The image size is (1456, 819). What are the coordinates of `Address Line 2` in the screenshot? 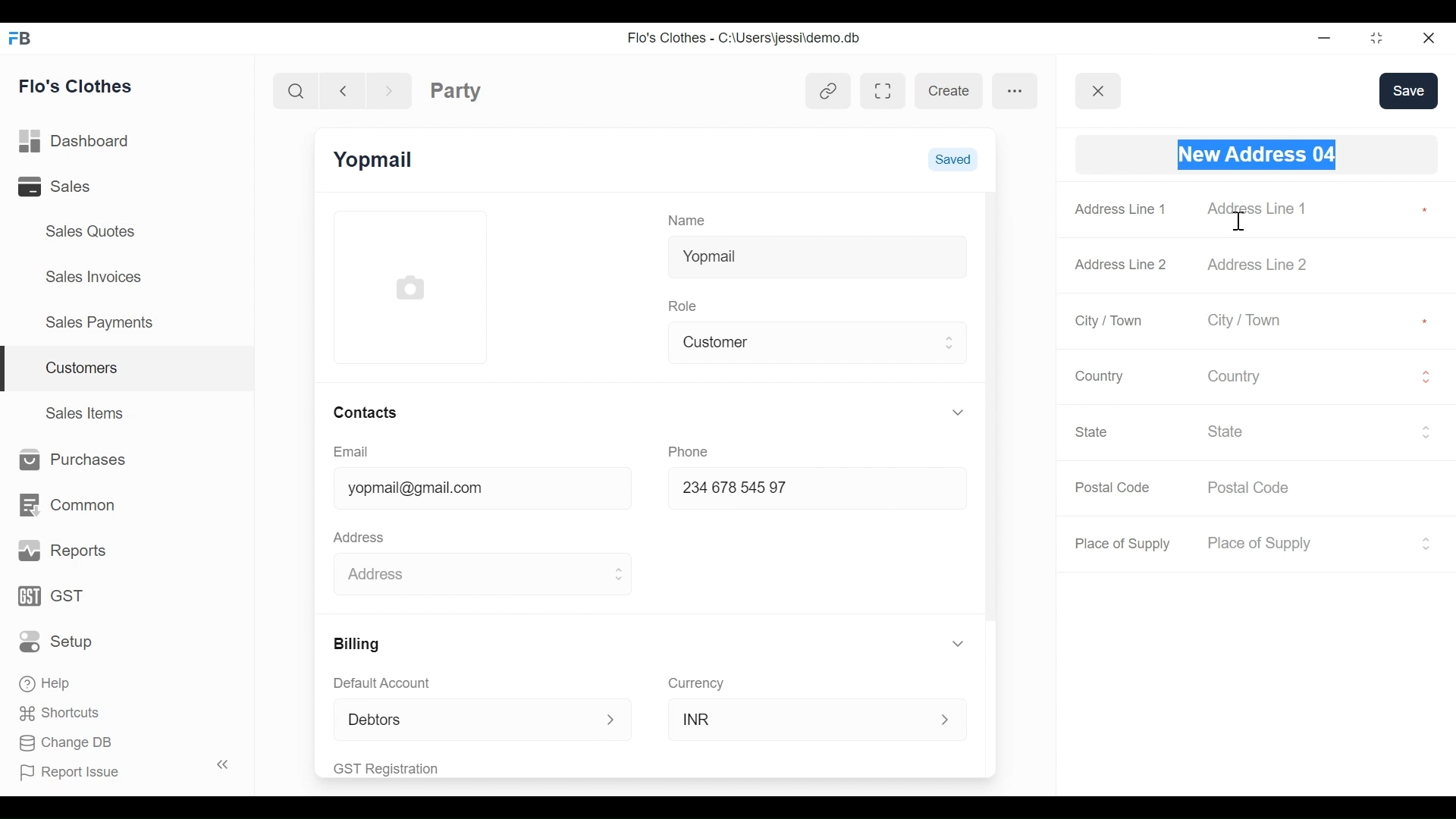 It's located at (1122, 260).